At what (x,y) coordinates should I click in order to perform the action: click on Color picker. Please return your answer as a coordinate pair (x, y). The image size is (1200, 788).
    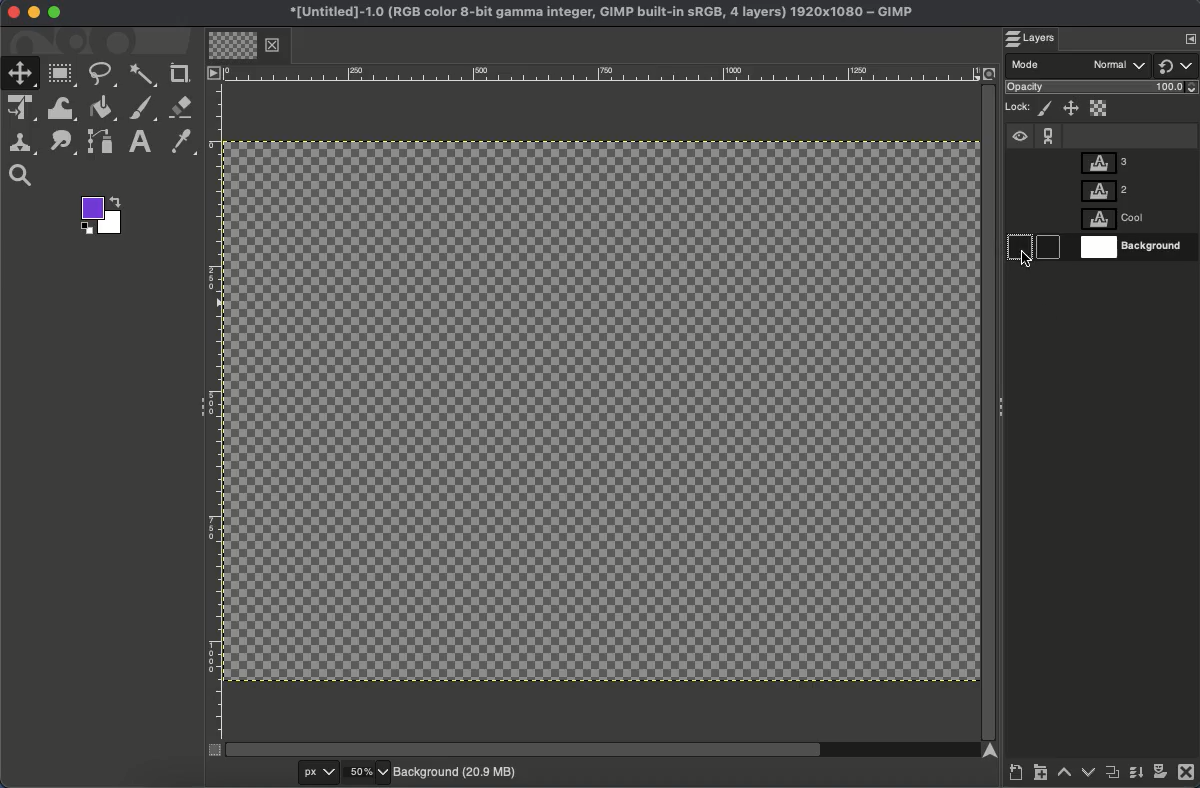
    Looking at the image, I should click on (184, 143).